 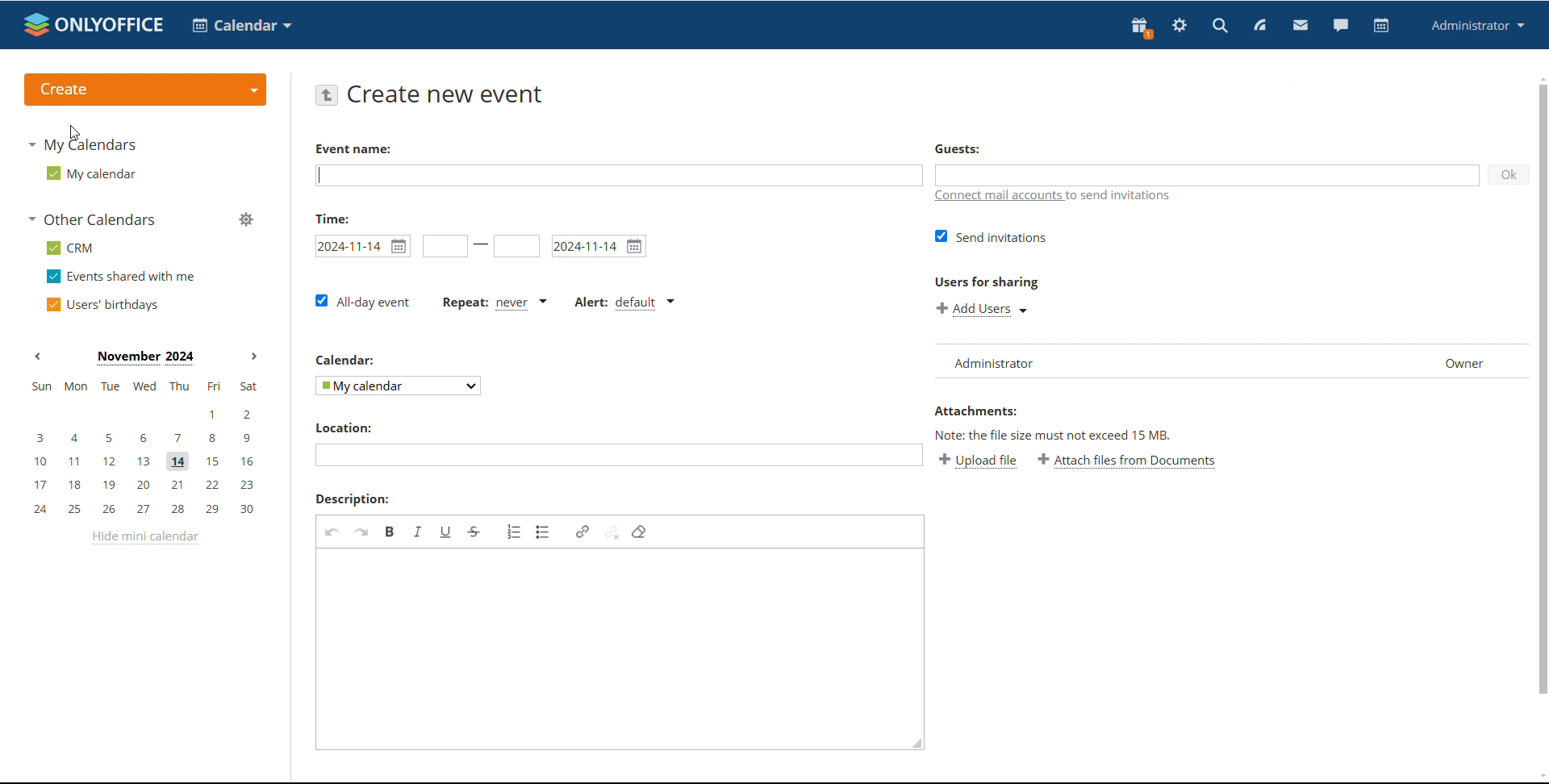 What do you see at coordinates (143, 386) in the screenshot?
I see `sun, mon, tue, wed, thu, fri, sat` at bounding box center [143, 386].